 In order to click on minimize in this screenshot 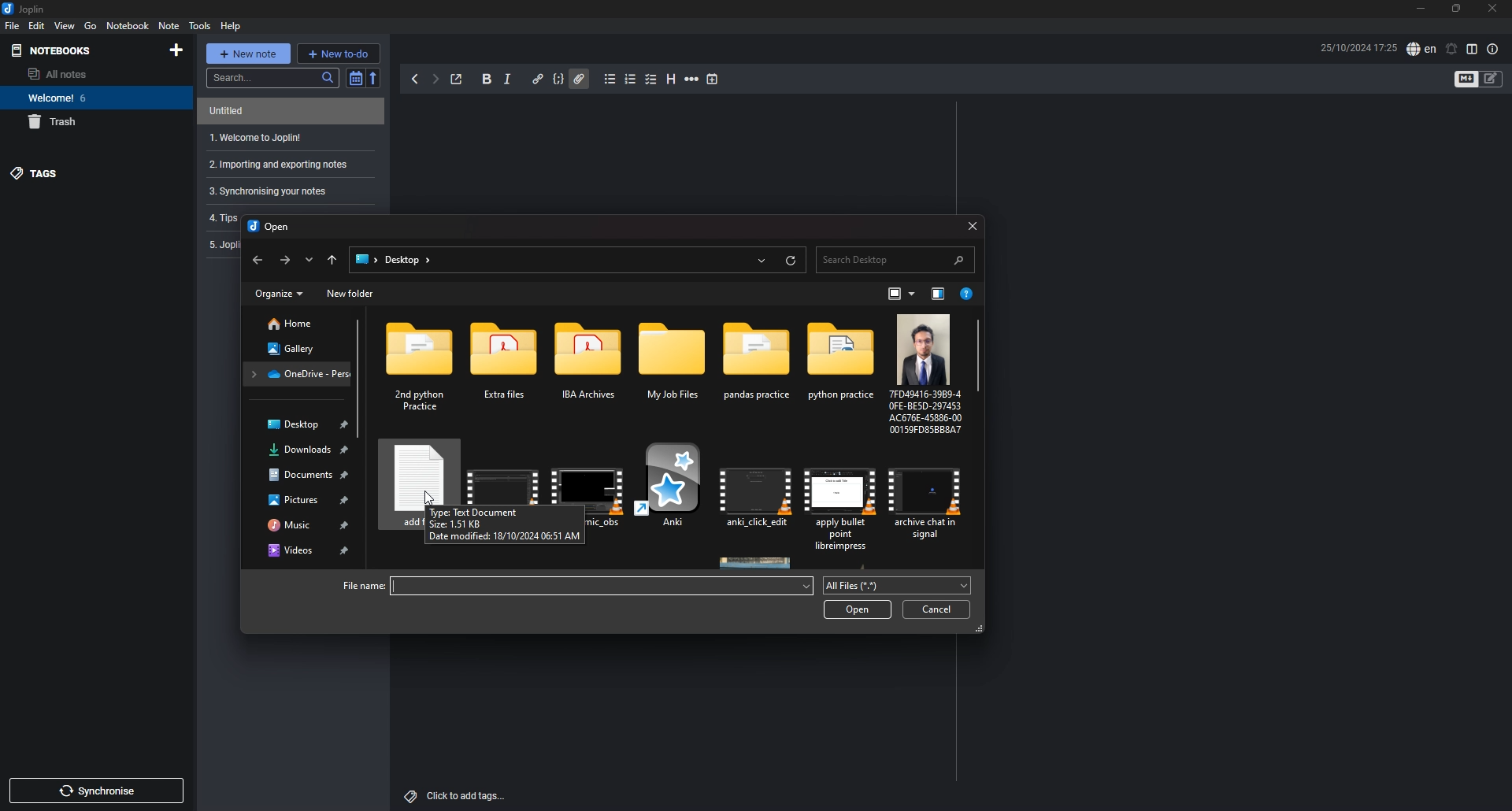, I will do `click(1421, 9)`.